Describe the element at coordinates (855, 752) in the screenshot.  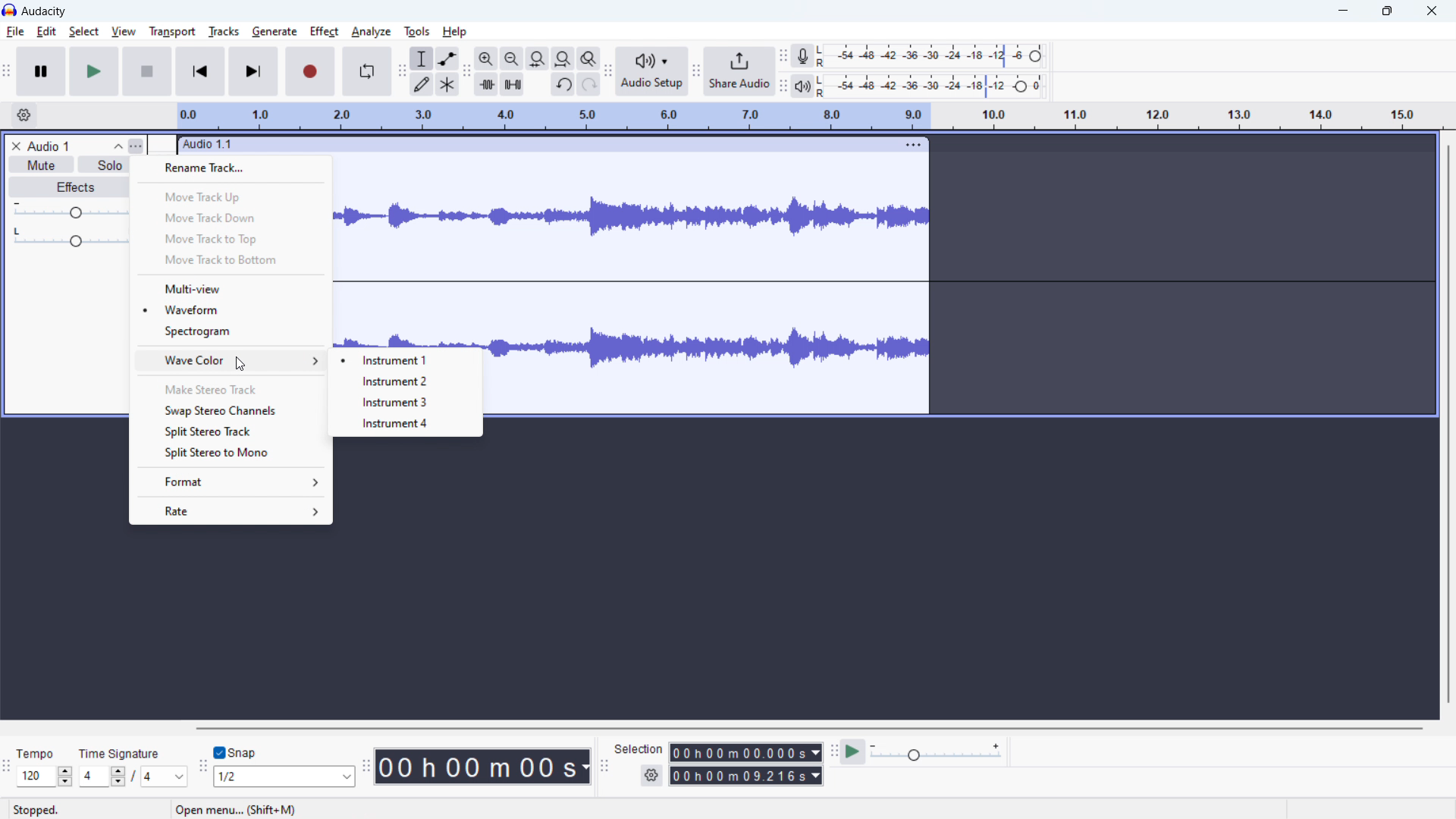
I see `play at speed ` at that location.